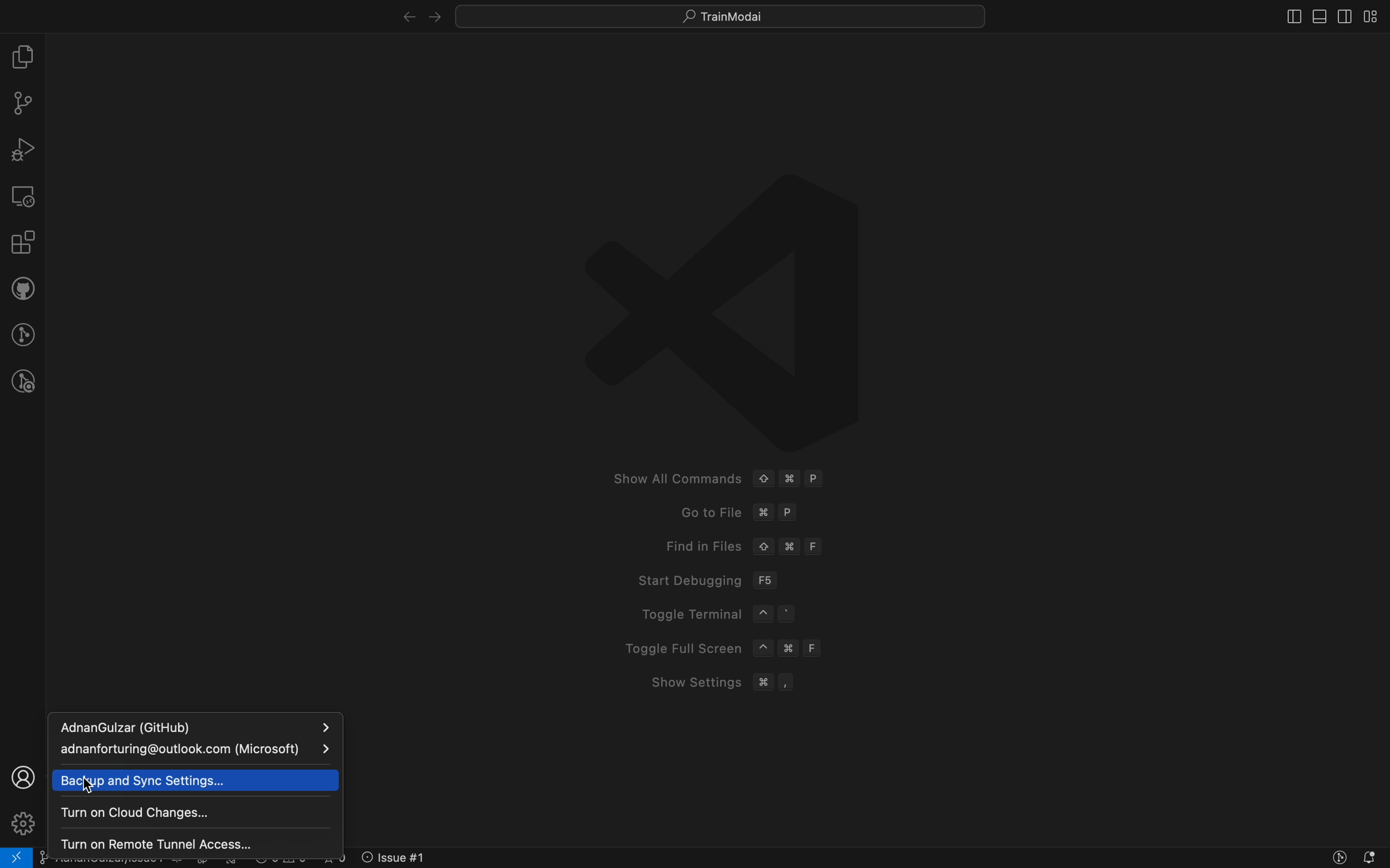 The image size is (1390, 868). Describe the element at coordinates (1337, 859) in the screenshot. I see `` at that location.